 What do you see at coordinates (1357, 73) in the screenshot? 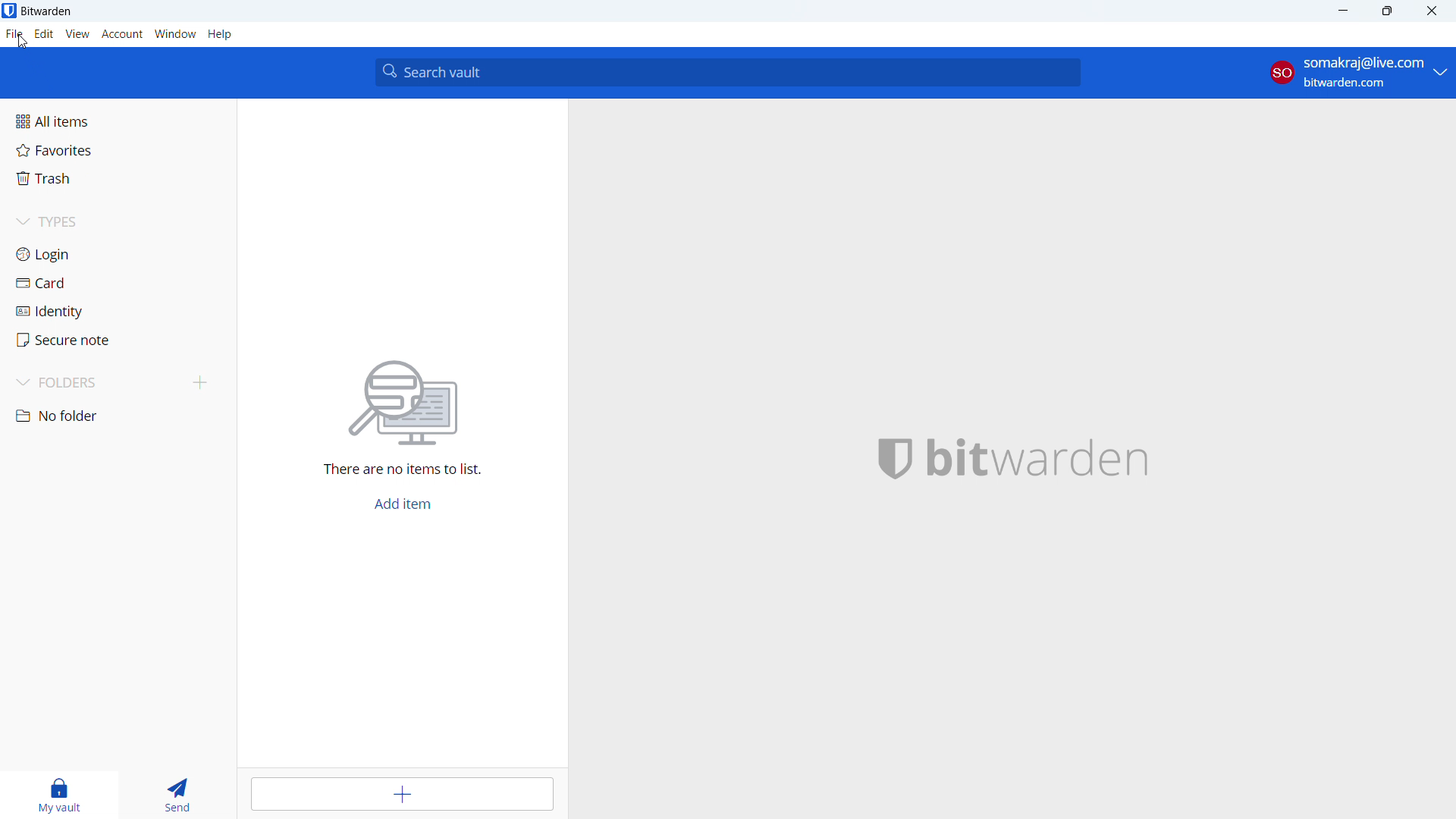
I see `account` at bounding box center [1357, 73].